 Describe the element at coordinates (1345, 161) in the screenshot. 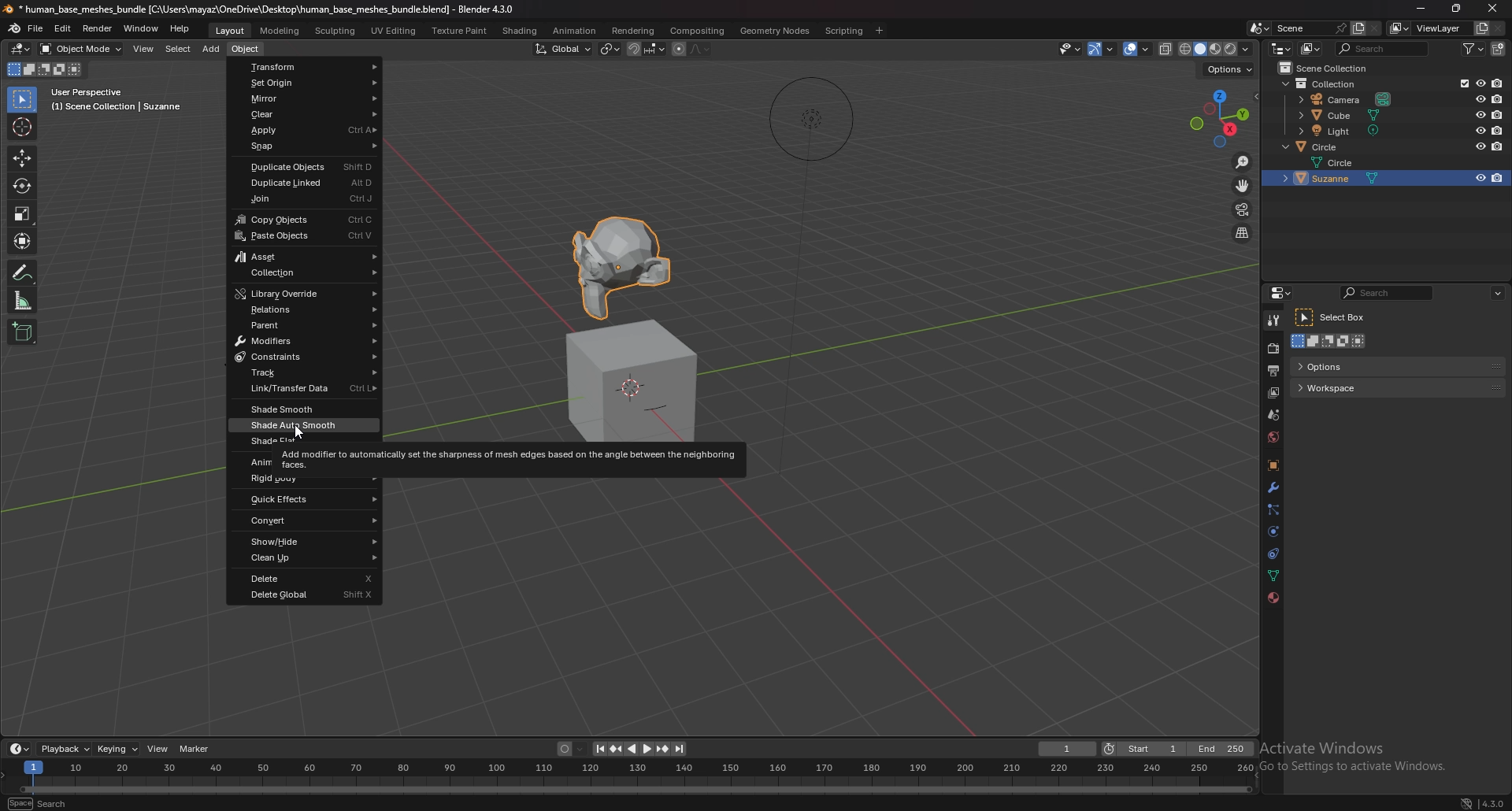

I see `circle` at that location.